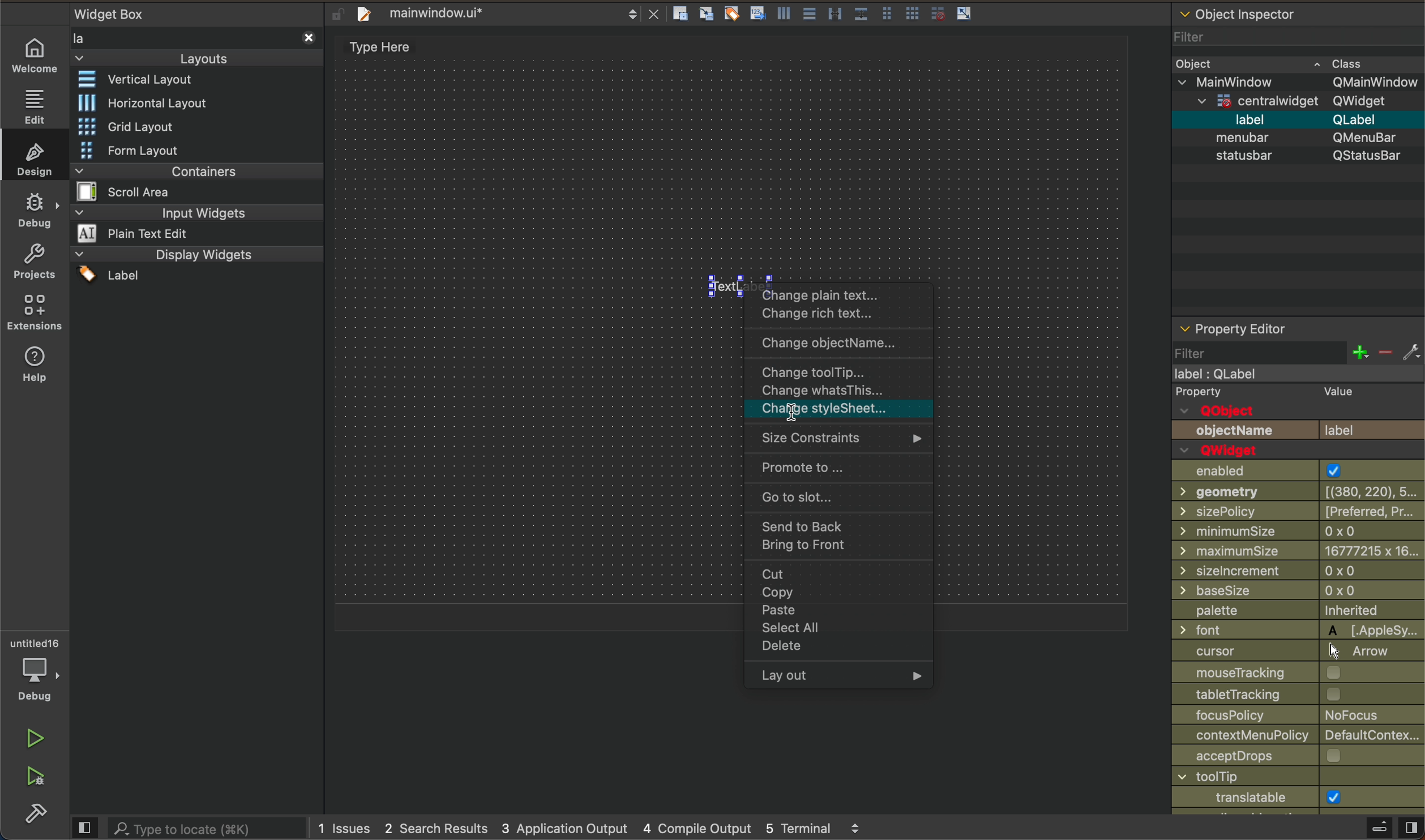  What do you see at coordinates (1298, 572) in the screenshot?
I see `size` at bounding box center [1298, 572].